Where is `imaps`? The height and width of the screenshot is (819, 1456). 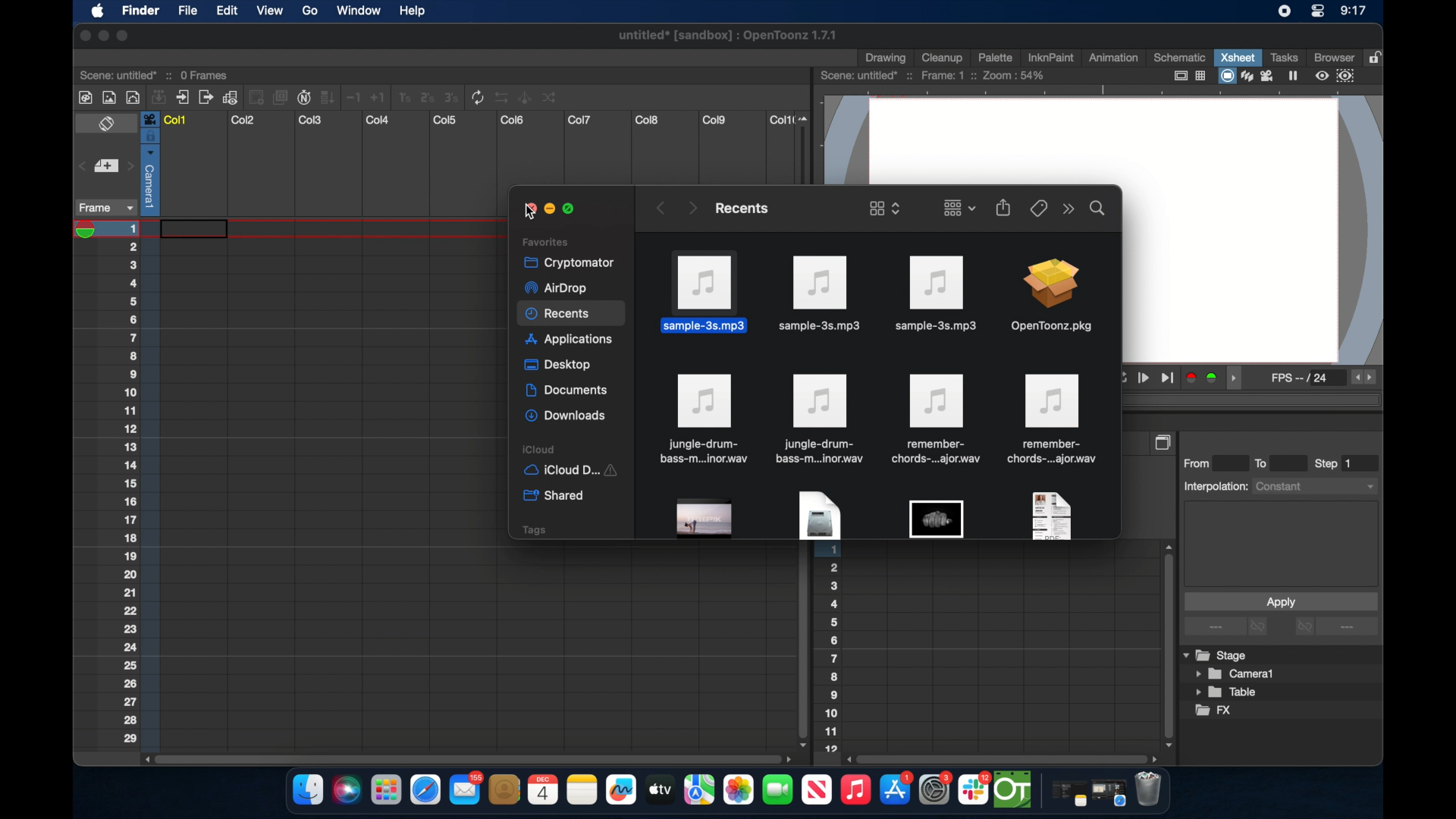
imaps is located at coordinates (699, 790).